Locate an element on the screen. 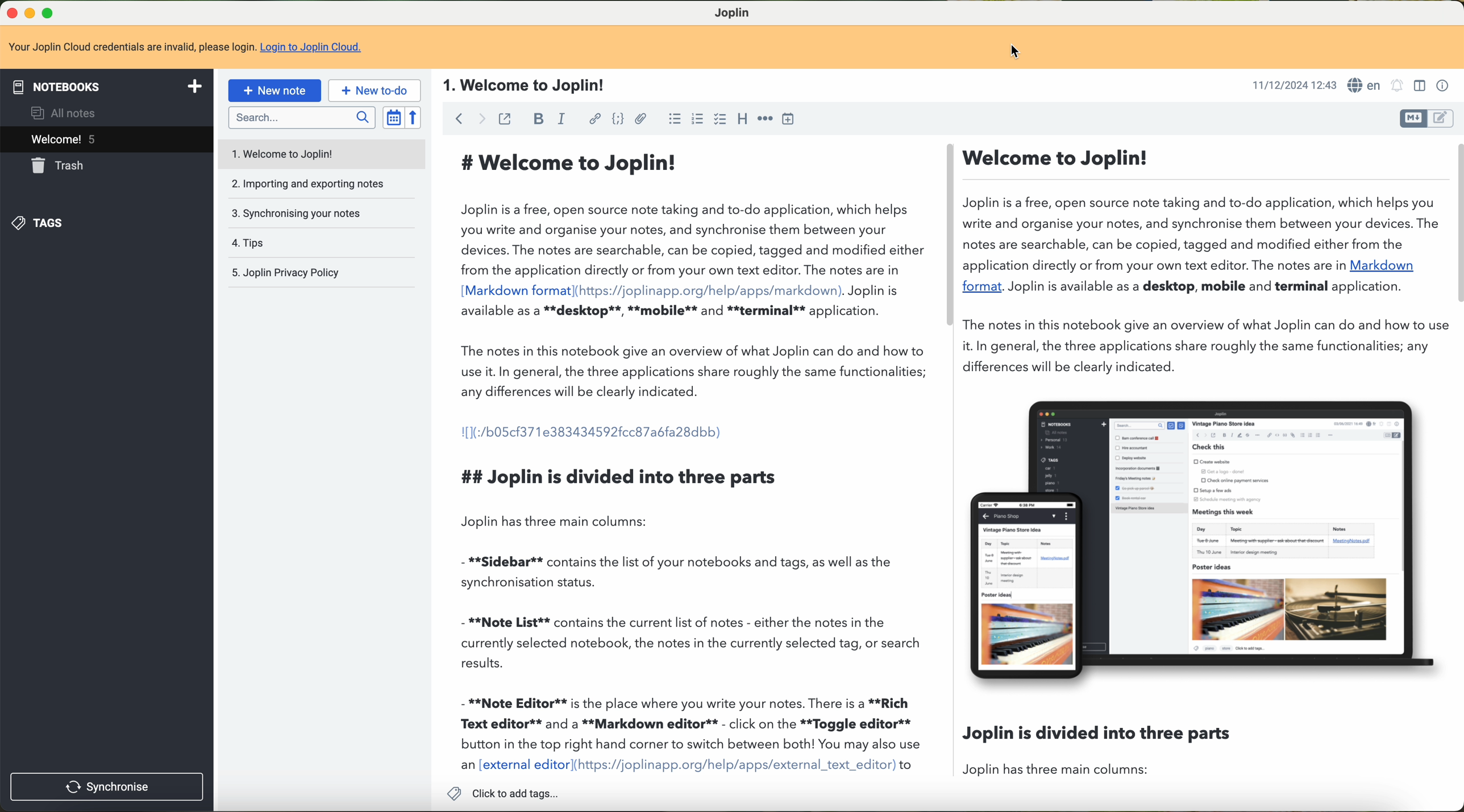 The height and width of the screenshot is (812, 1464). close program is located at coordinates (10, 14).